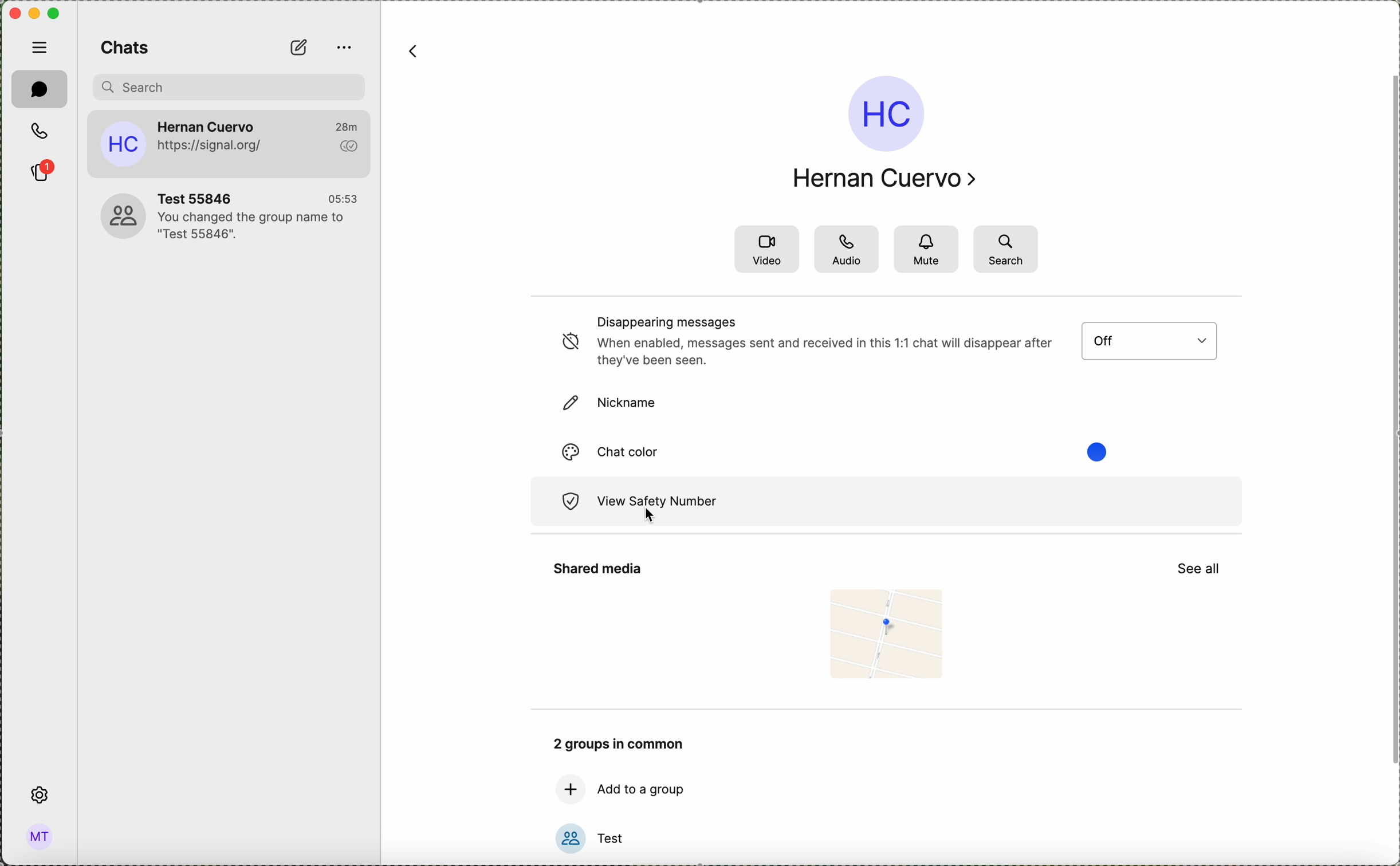 The height and width of the screenshot is (866, 1400). Describe the element at coordinates (648, 517) in the screenshot. I see `cursor` at that location.